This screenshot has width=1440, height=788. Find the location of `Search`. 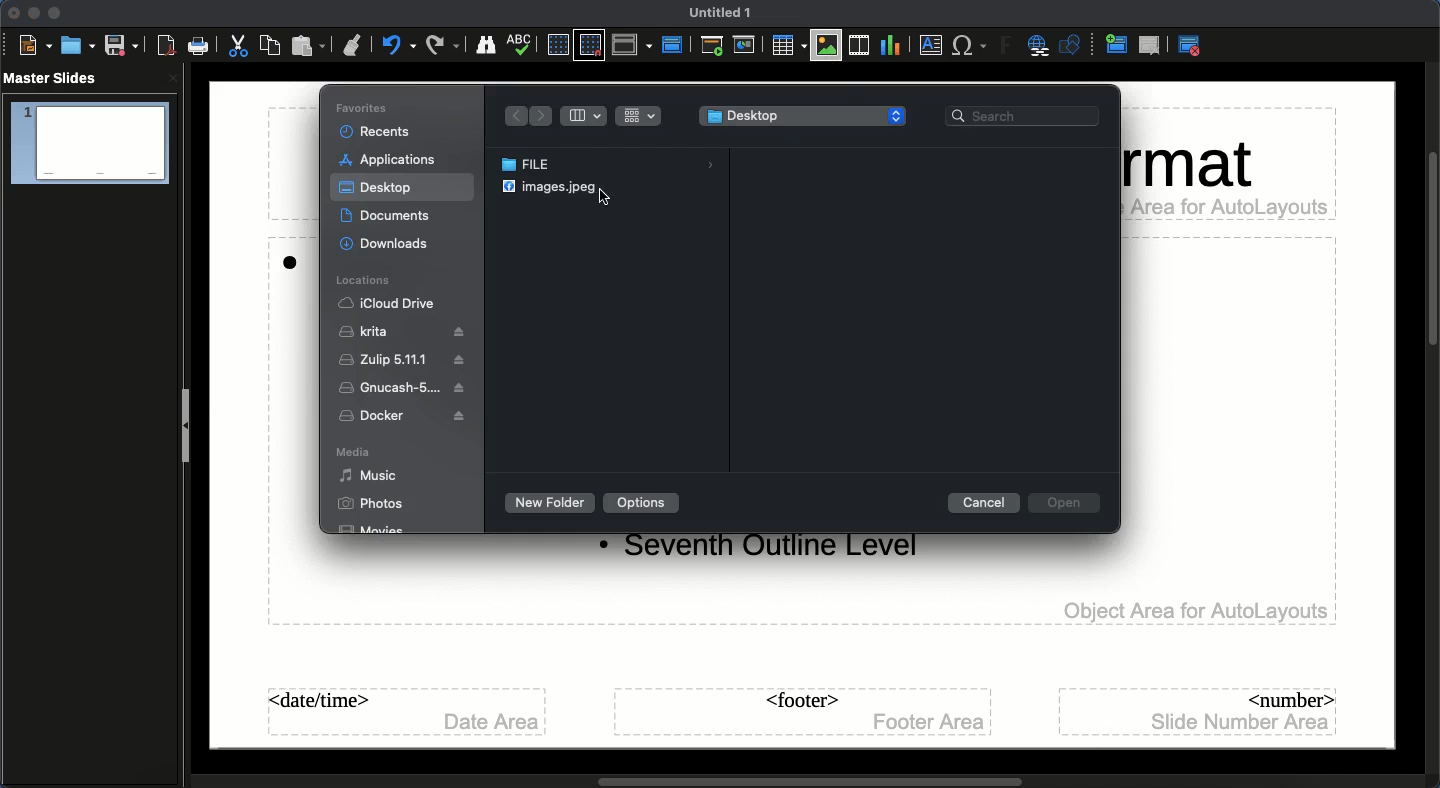

Search is located at coordinates (1026, 117).